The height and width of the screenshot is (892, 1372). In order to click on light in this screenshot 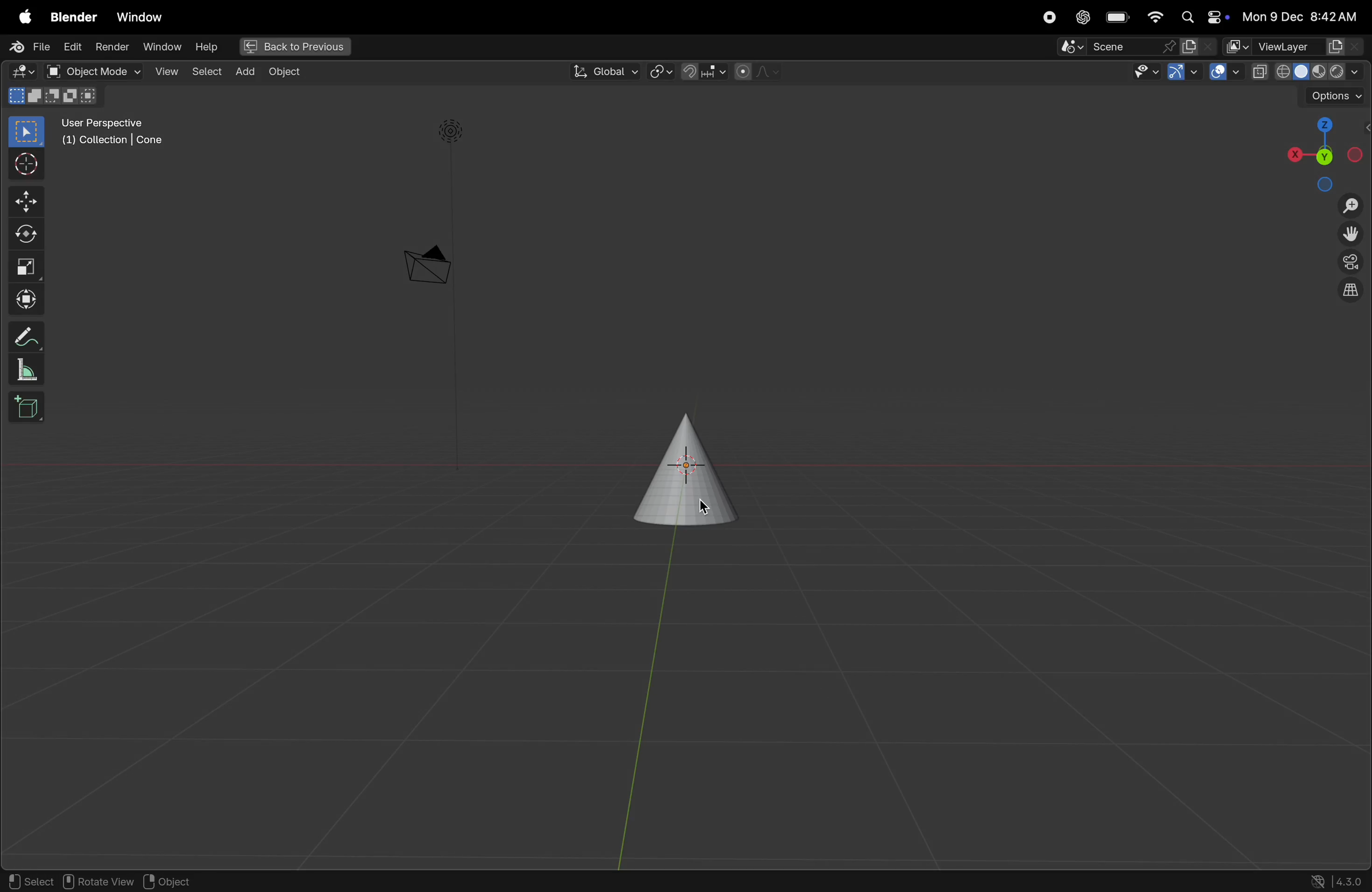, I will do `click(453, 131)`.